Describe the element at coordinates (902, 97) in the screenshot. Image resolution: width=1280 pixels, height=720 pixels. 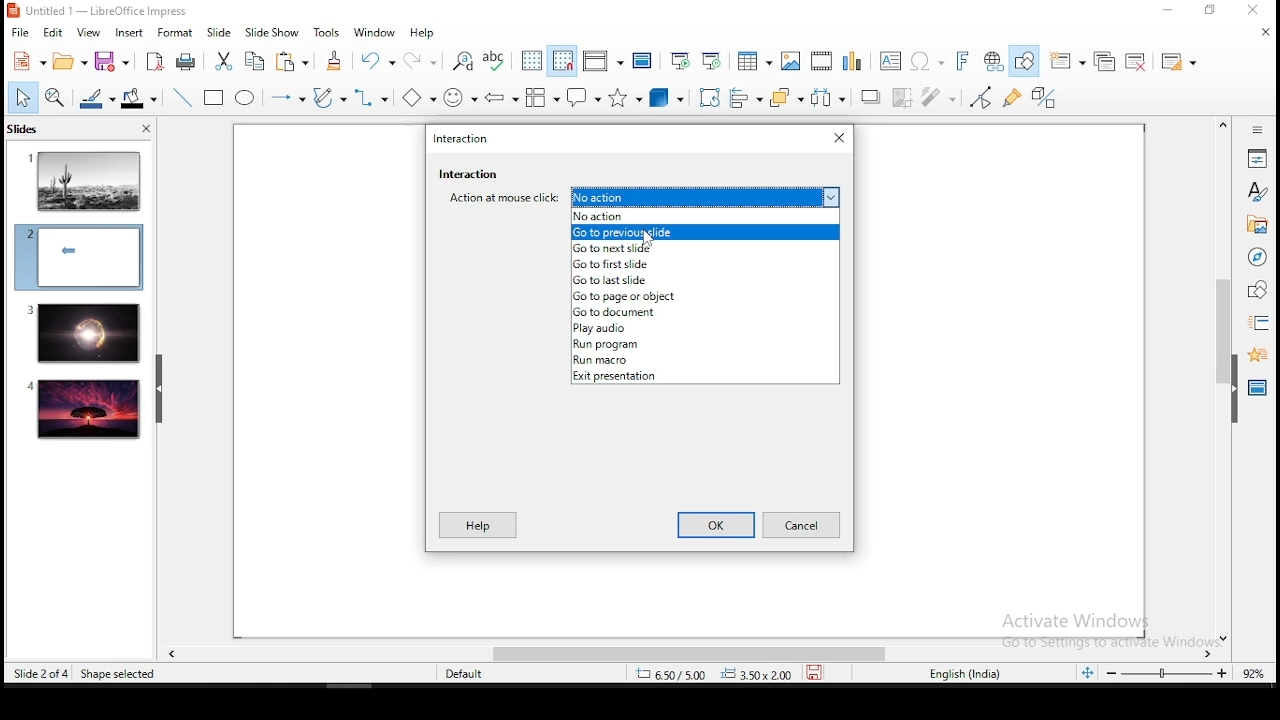
I see `crop image` at that location.